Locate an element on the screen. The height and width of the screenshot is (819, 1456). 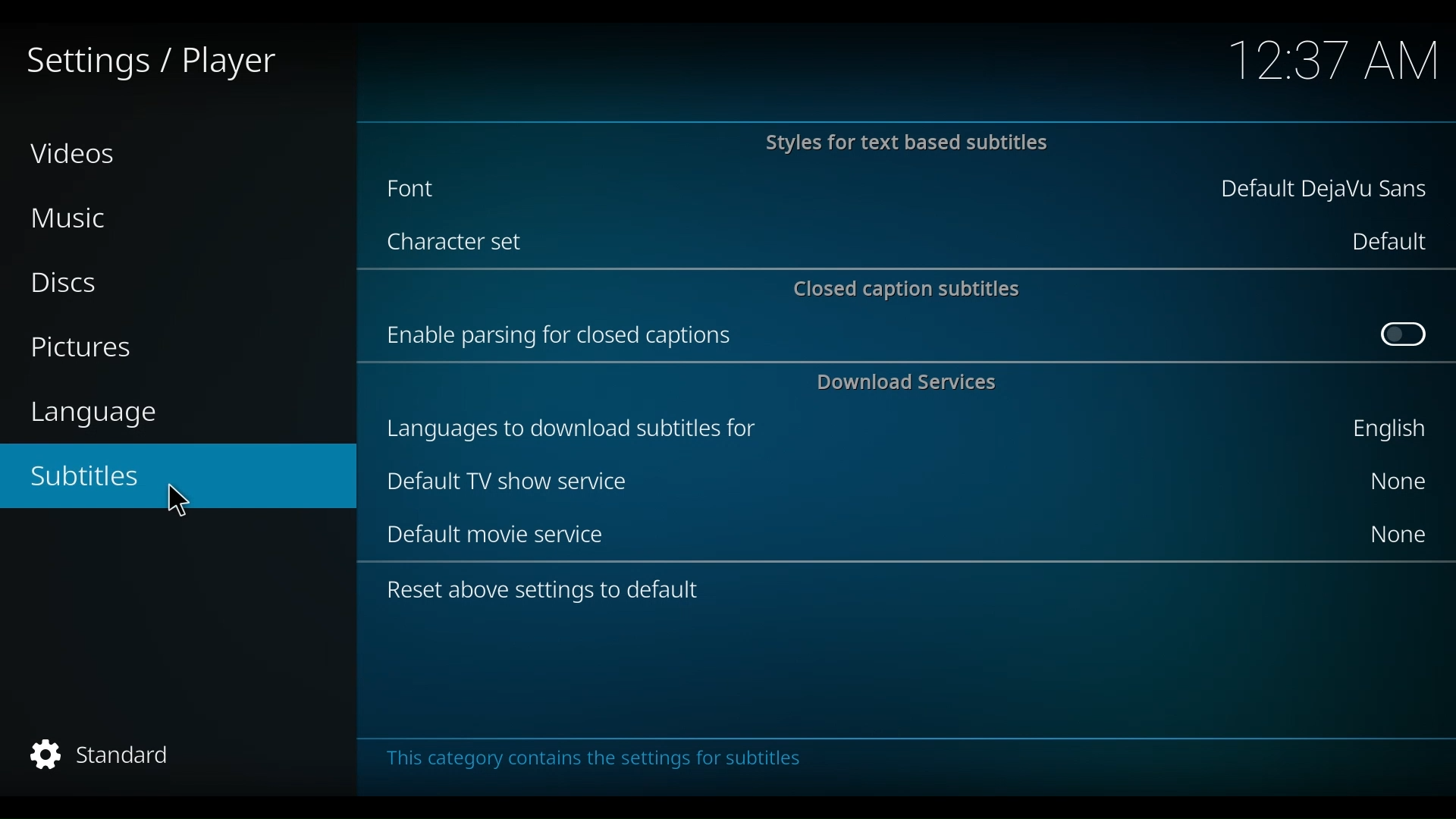
Default movie service is located at coordinates (504, 535).